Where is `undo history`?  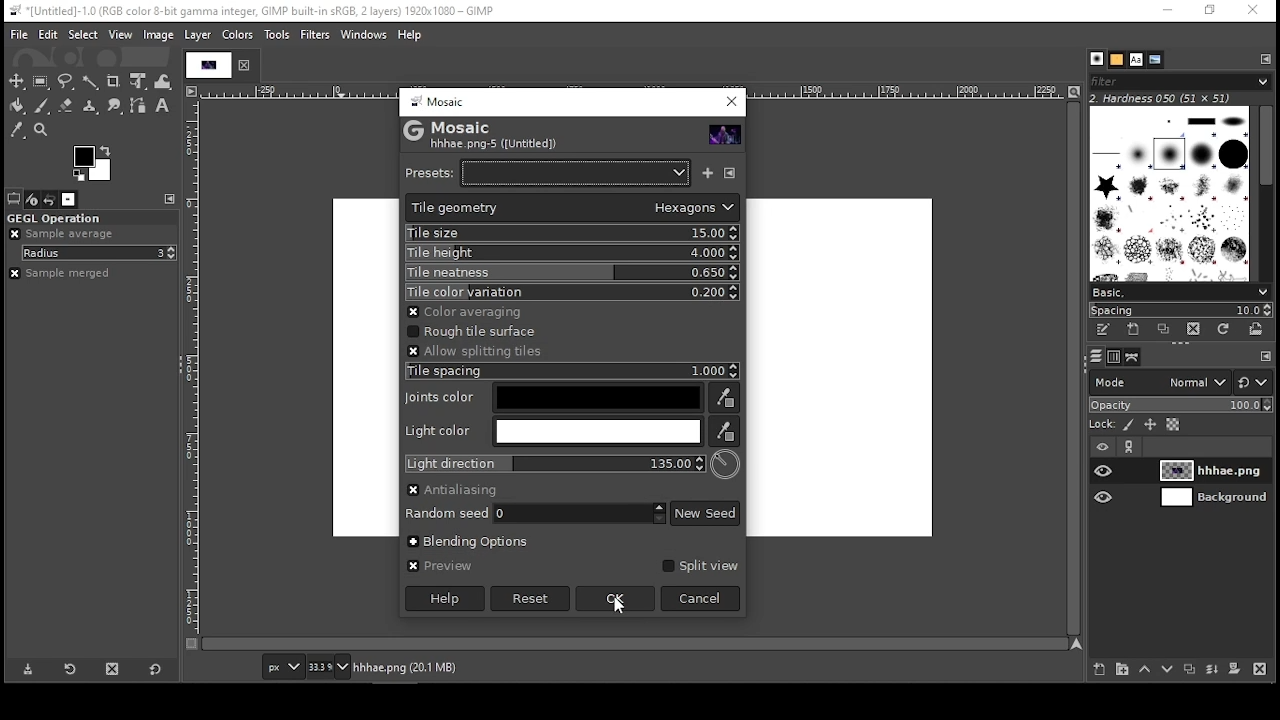
undo history is located at coordinates (48, 199).